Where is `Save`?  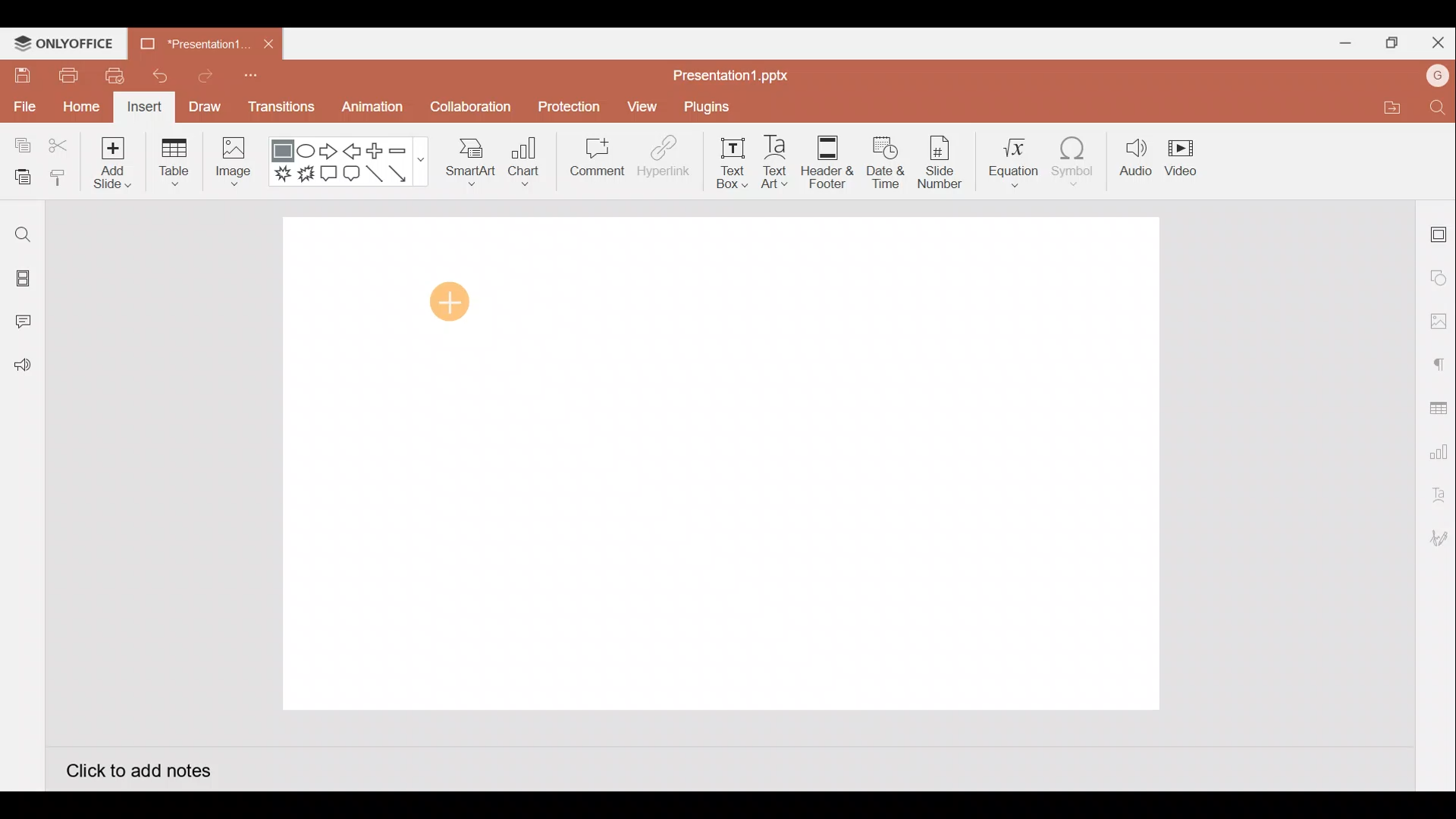 Save is located at coordinates (20, 74).